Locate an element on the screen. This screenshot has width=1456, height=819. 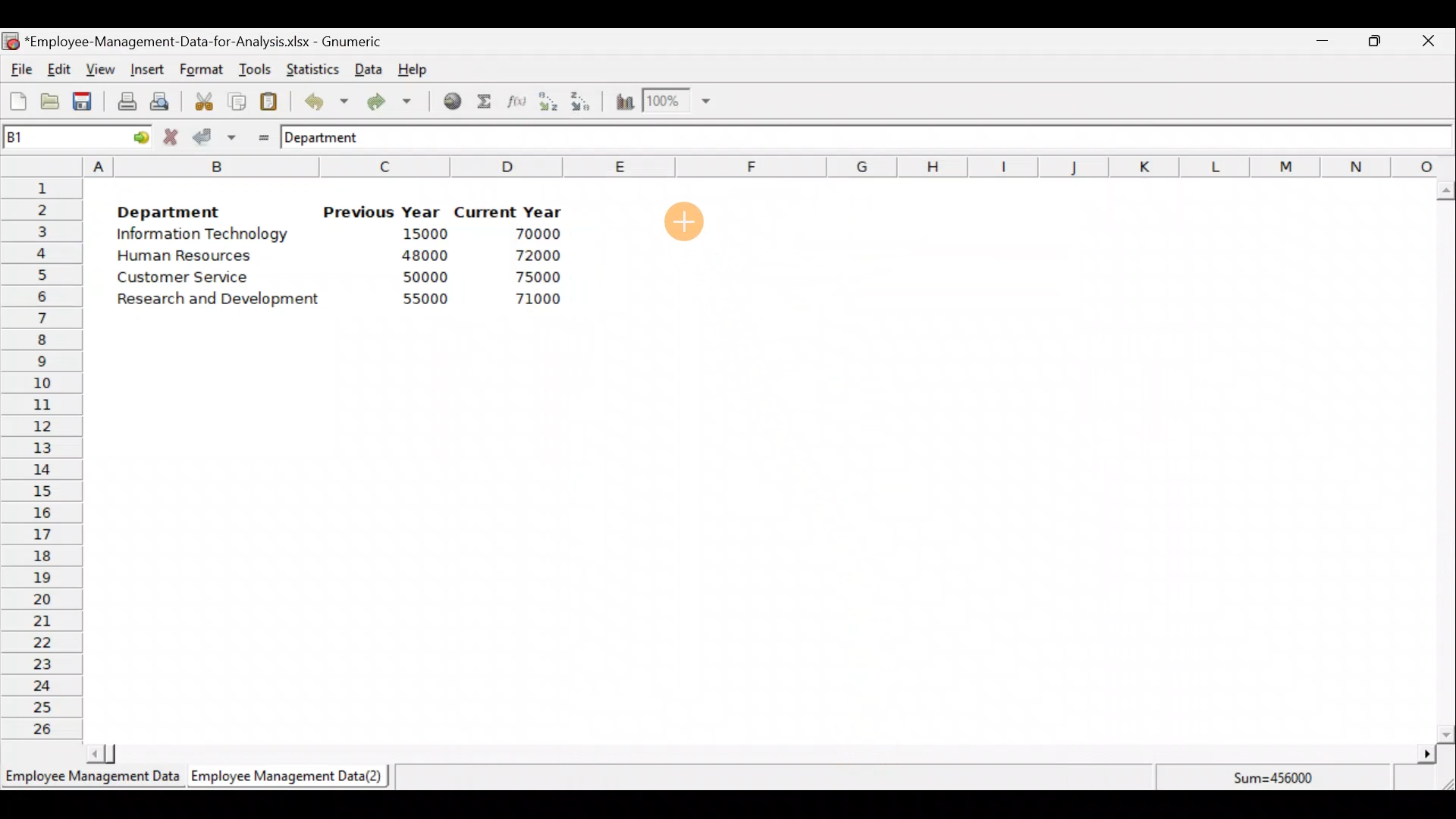
Data is located at coordinates (369, 69).